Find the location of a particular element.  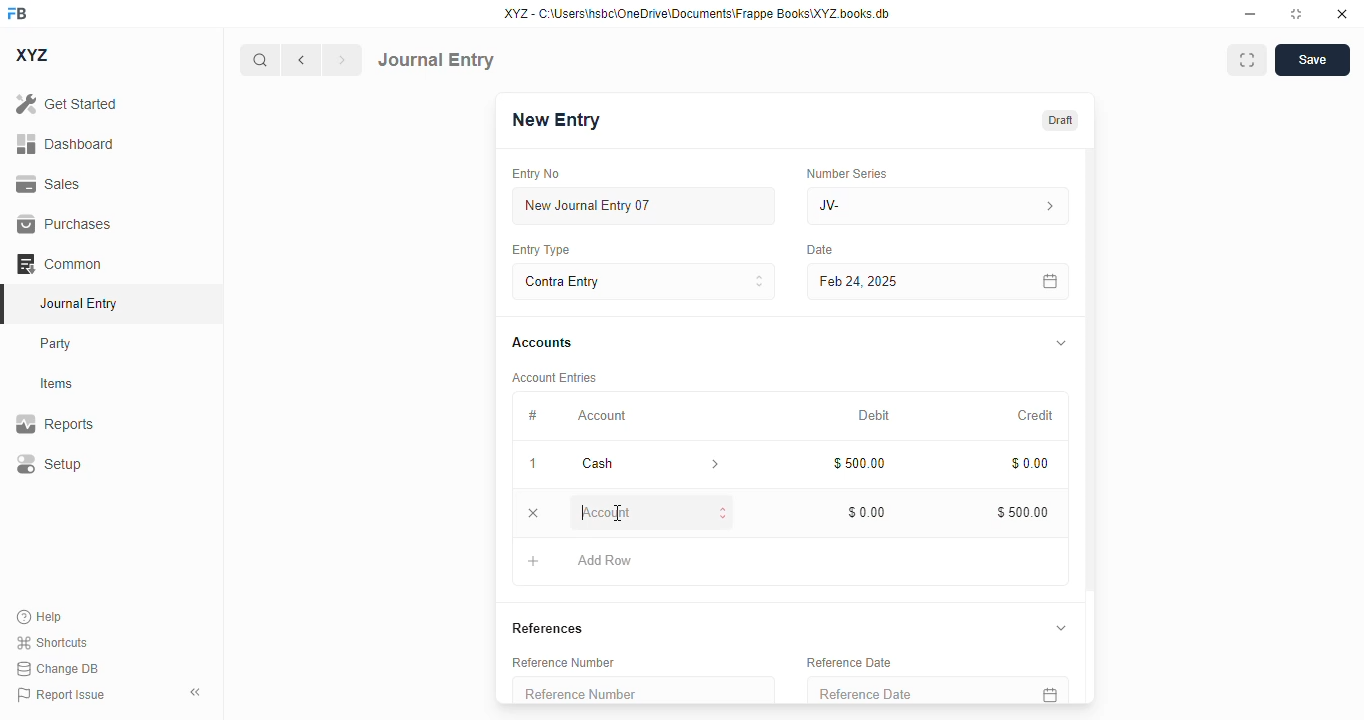

account information is located at coordinates (712, 464).